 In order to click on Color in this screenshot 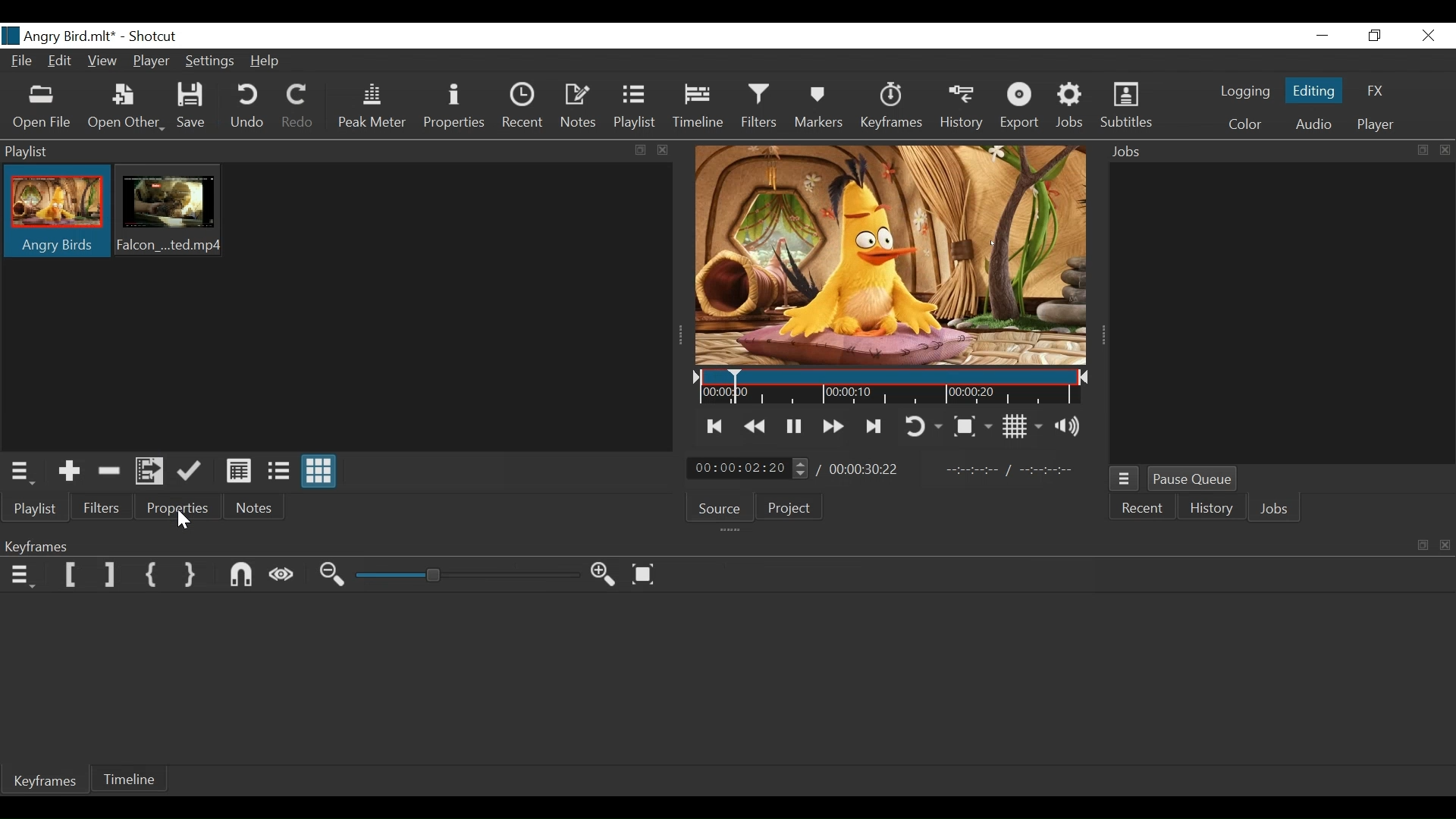, I will do `click(1245, 124)`.